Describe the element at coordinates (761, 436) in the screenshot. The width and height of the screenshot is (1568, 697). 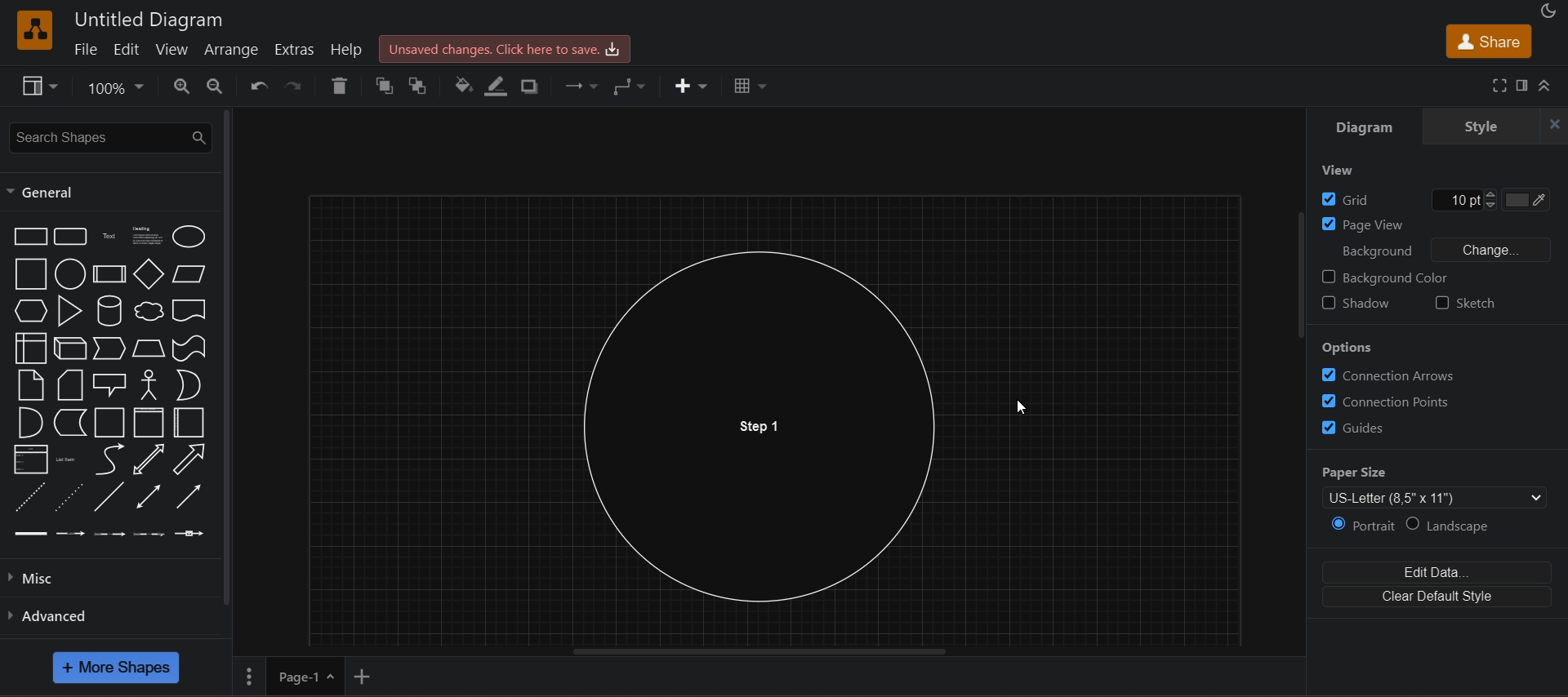
I see `circle` at that location.